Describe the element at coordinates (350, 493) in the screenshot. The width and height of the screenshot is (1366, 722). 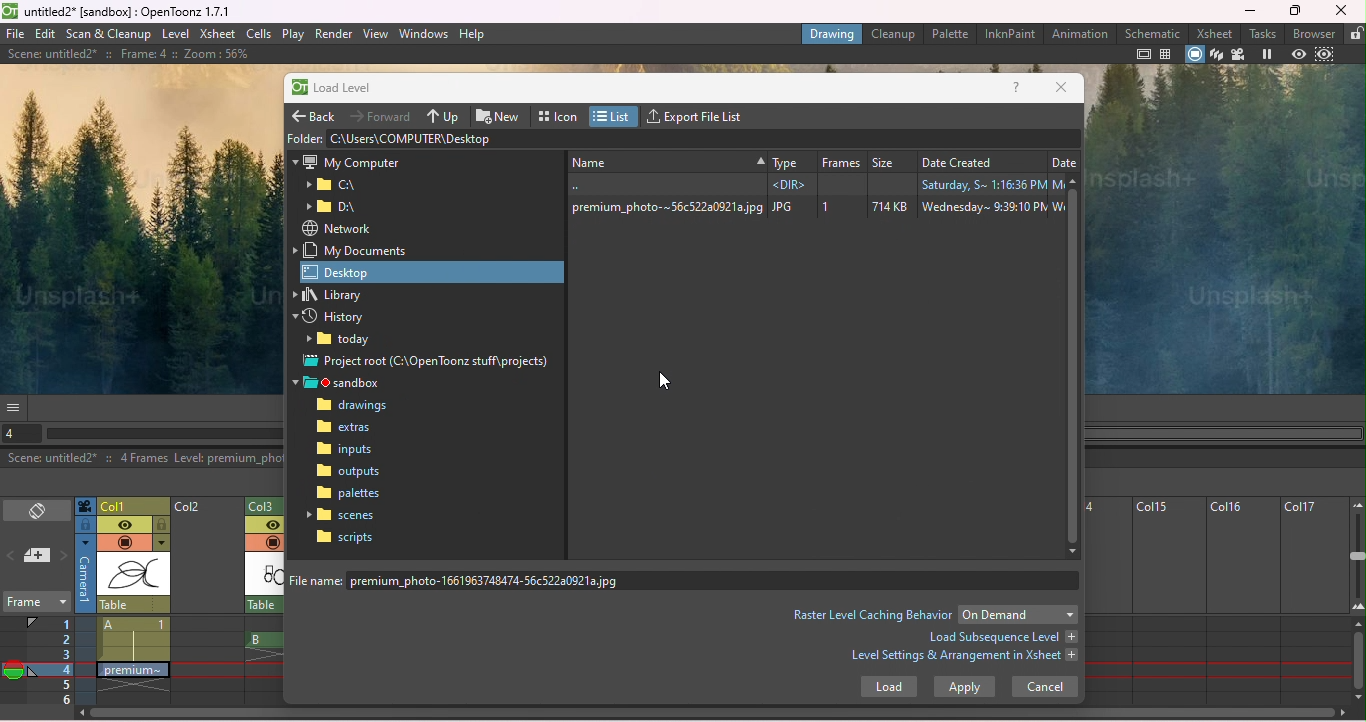
I see `Palettes` at that location.